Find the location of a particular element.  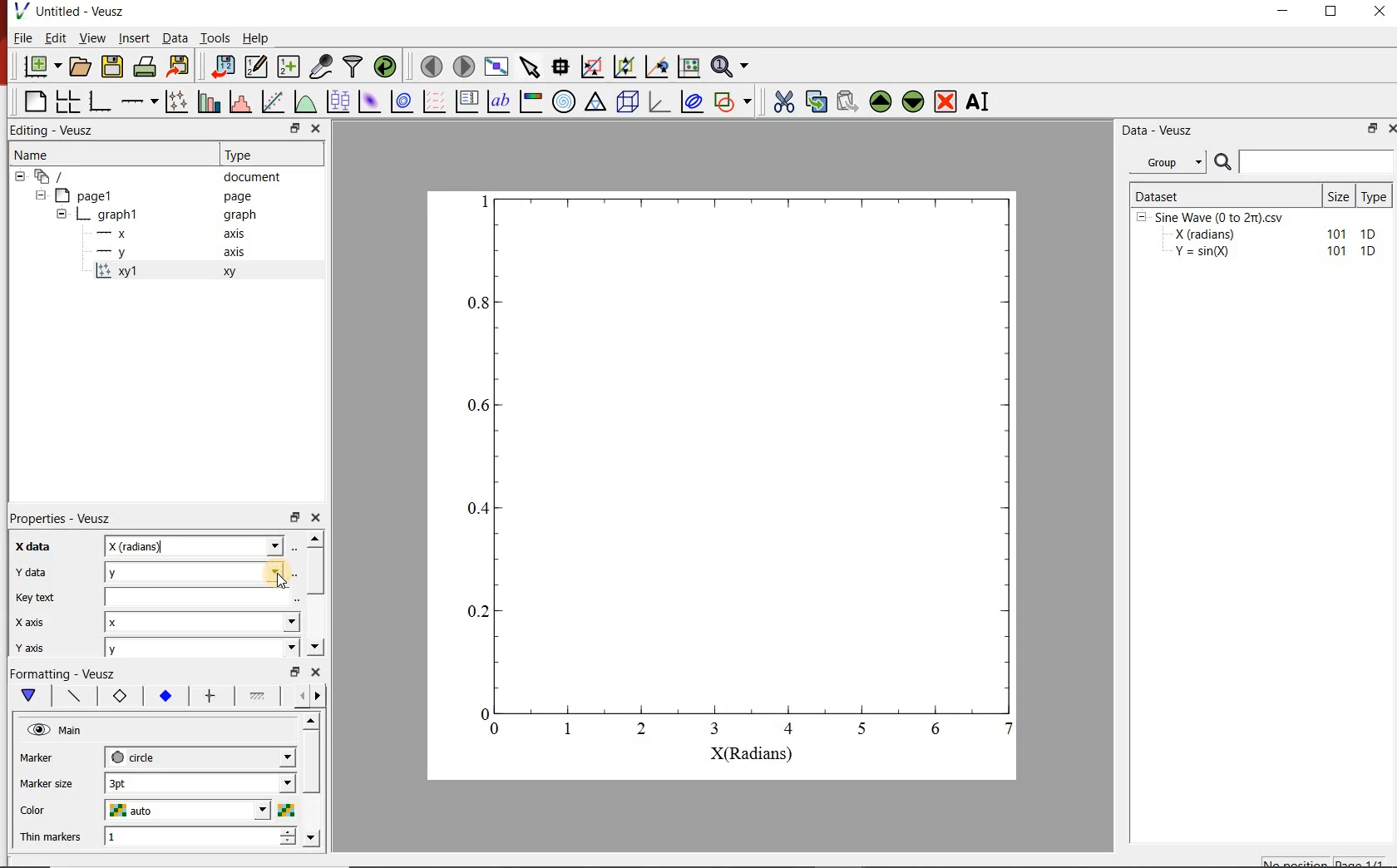

Min/Max is located at coordinates (293, 129).